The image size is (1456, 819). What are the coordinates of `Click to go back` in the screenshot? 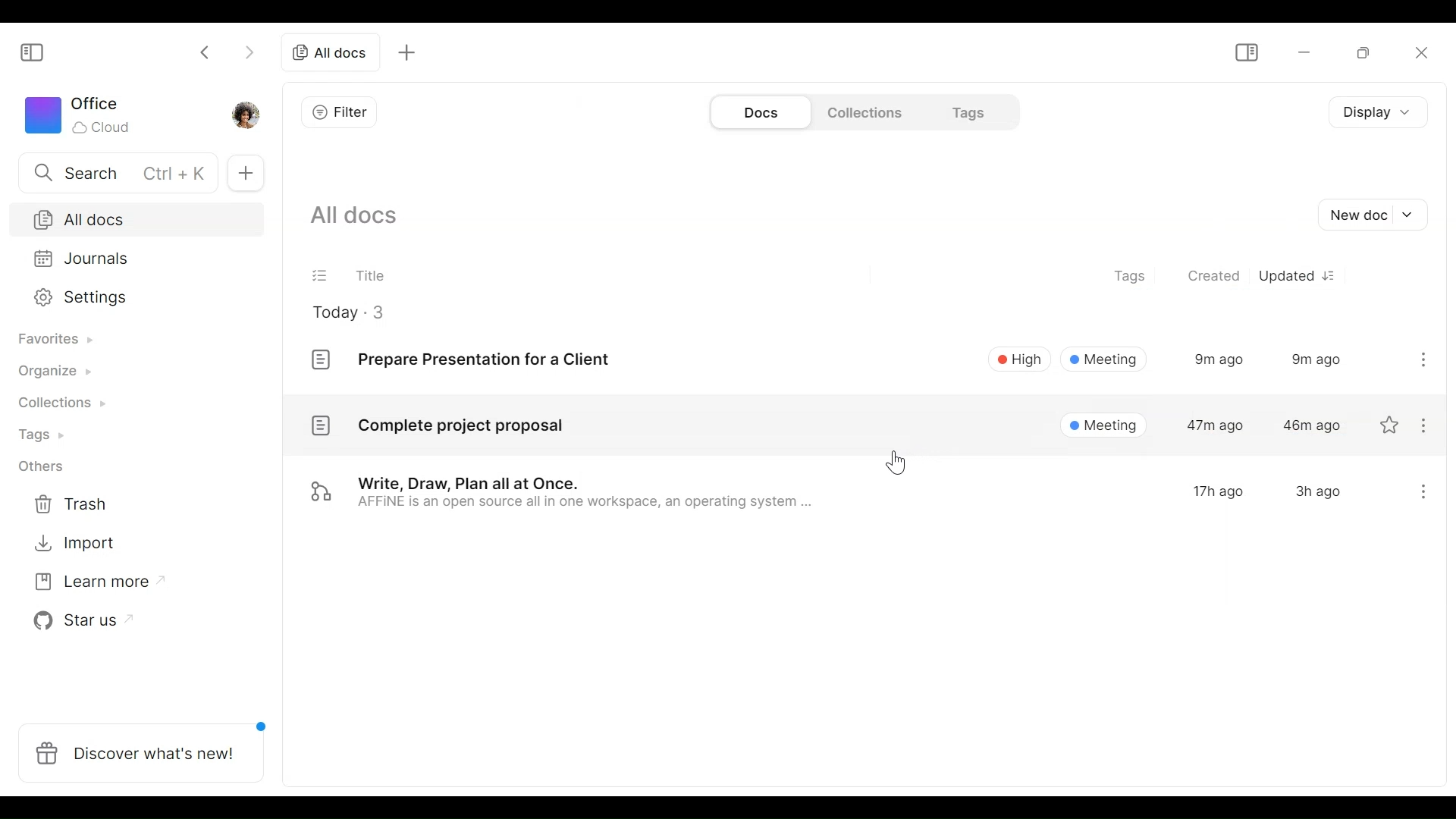 It's located at (209, 50).